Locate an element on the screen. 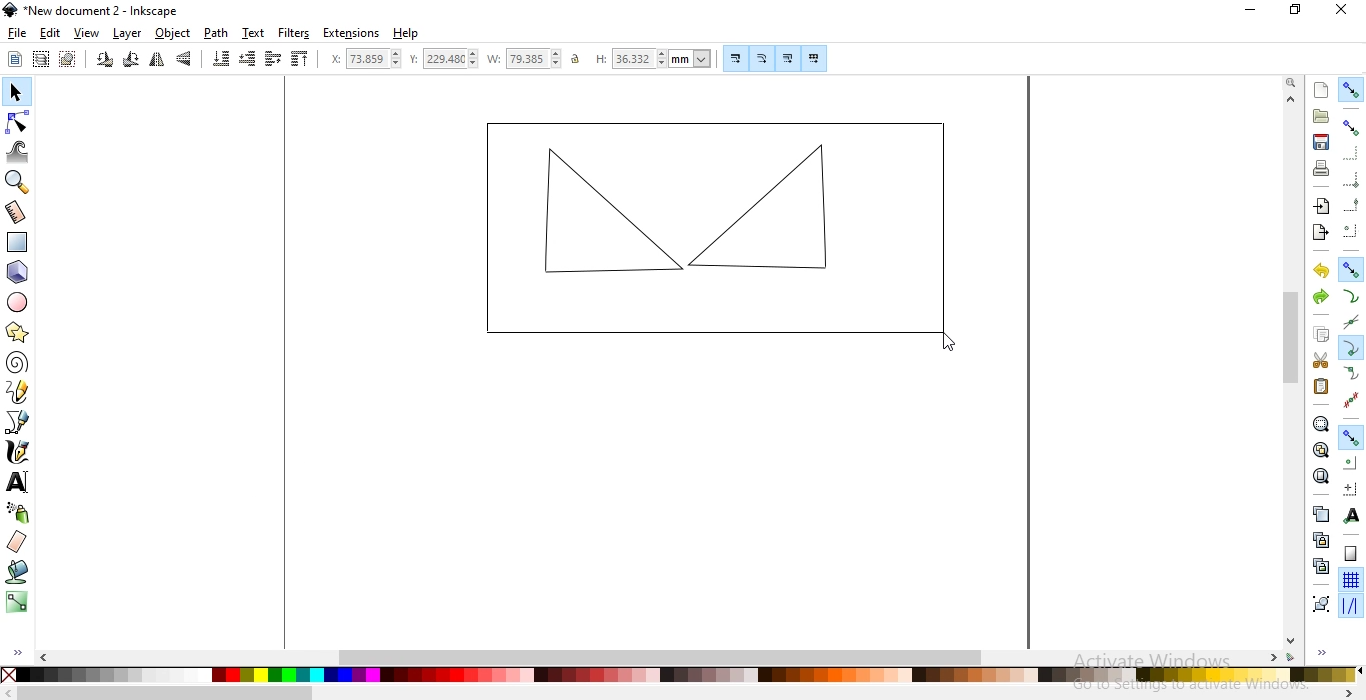  zoom to fit page in window is located at coordinates (1321, 475).